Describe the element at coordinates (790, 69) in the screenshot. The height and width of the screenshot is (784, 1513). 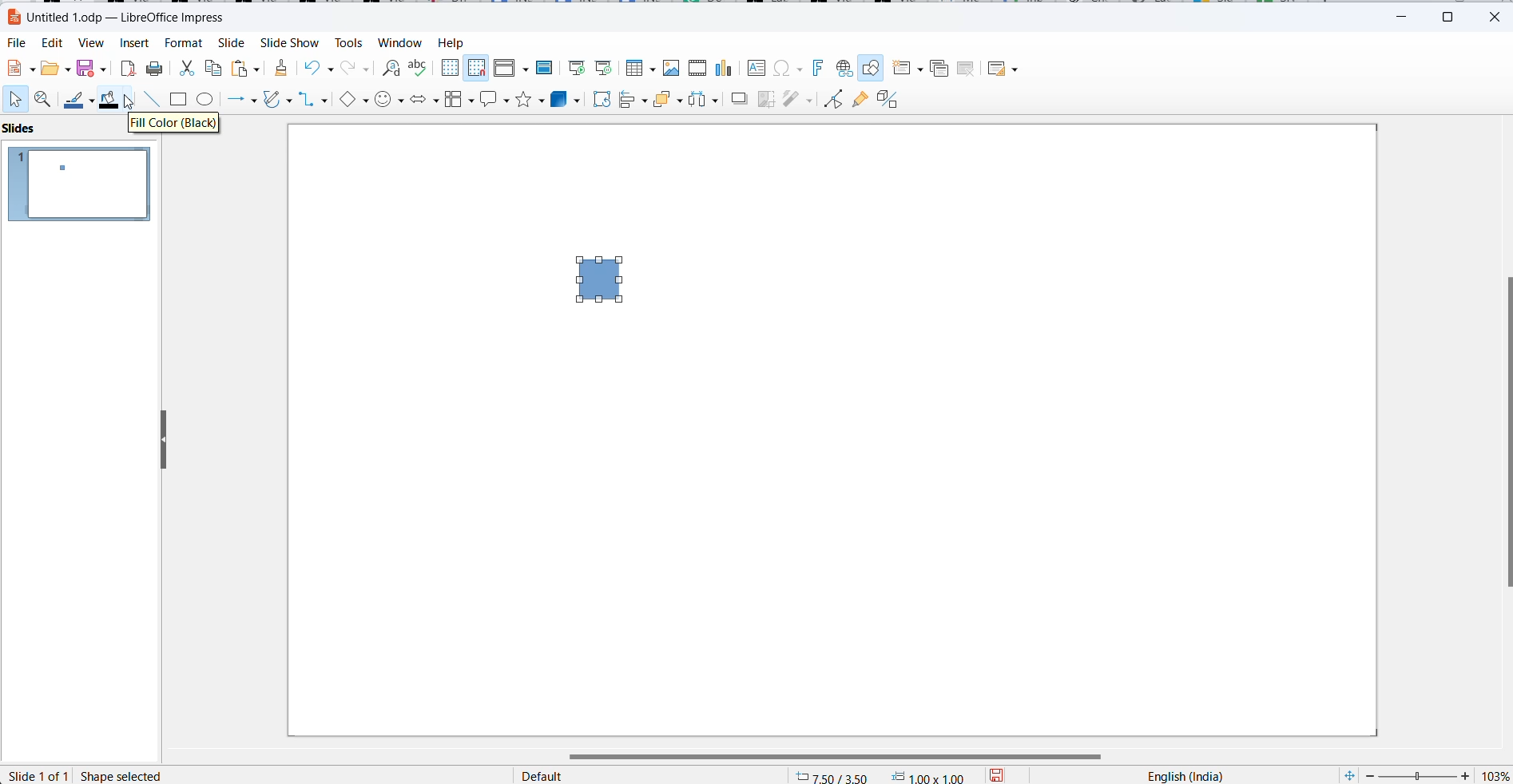
I see `Insert special characters` at that location.